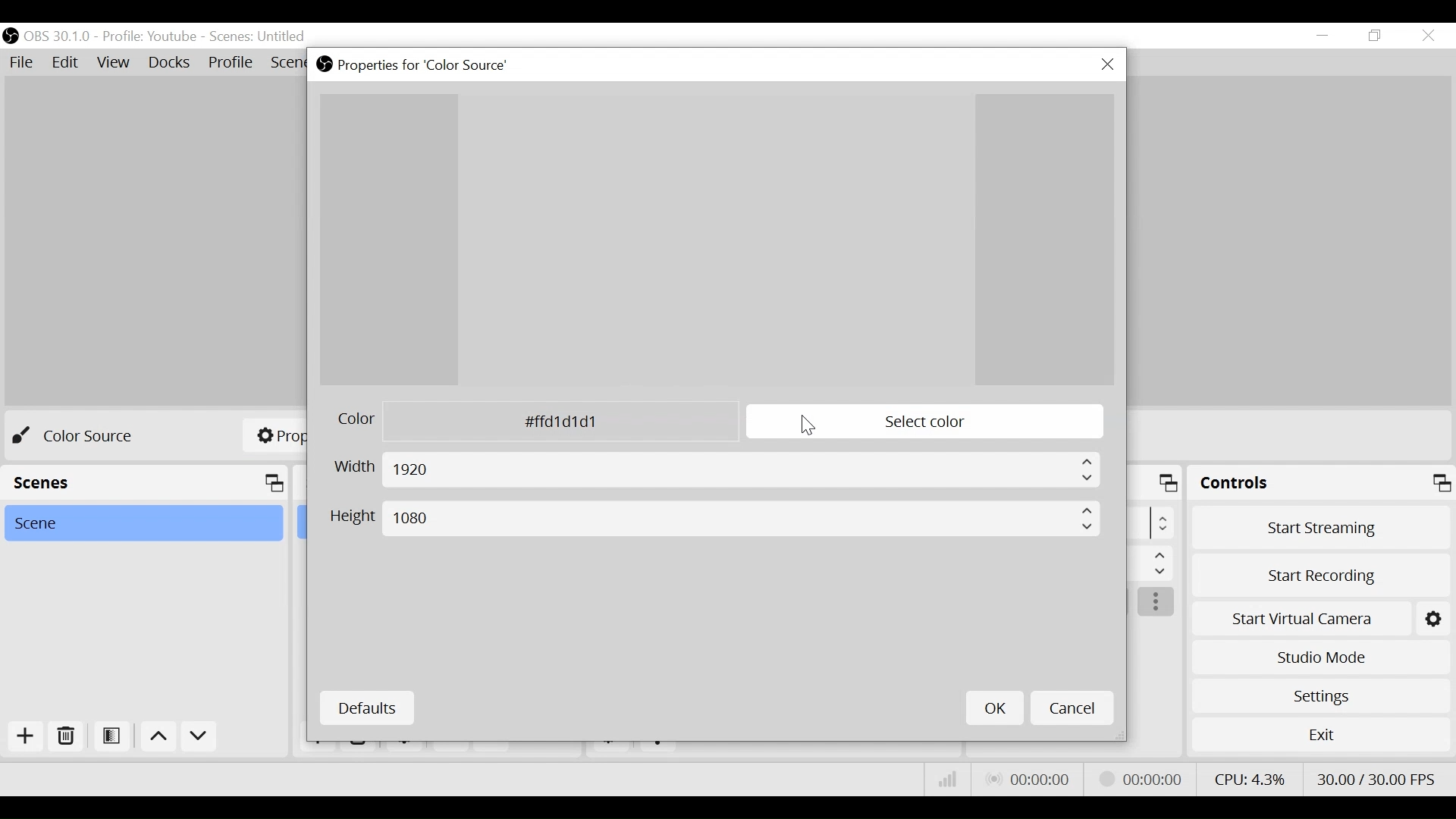 Image resolution: width=1456 pixels, height=819 pixels. I want to click on Defaults, so click(367, 708).